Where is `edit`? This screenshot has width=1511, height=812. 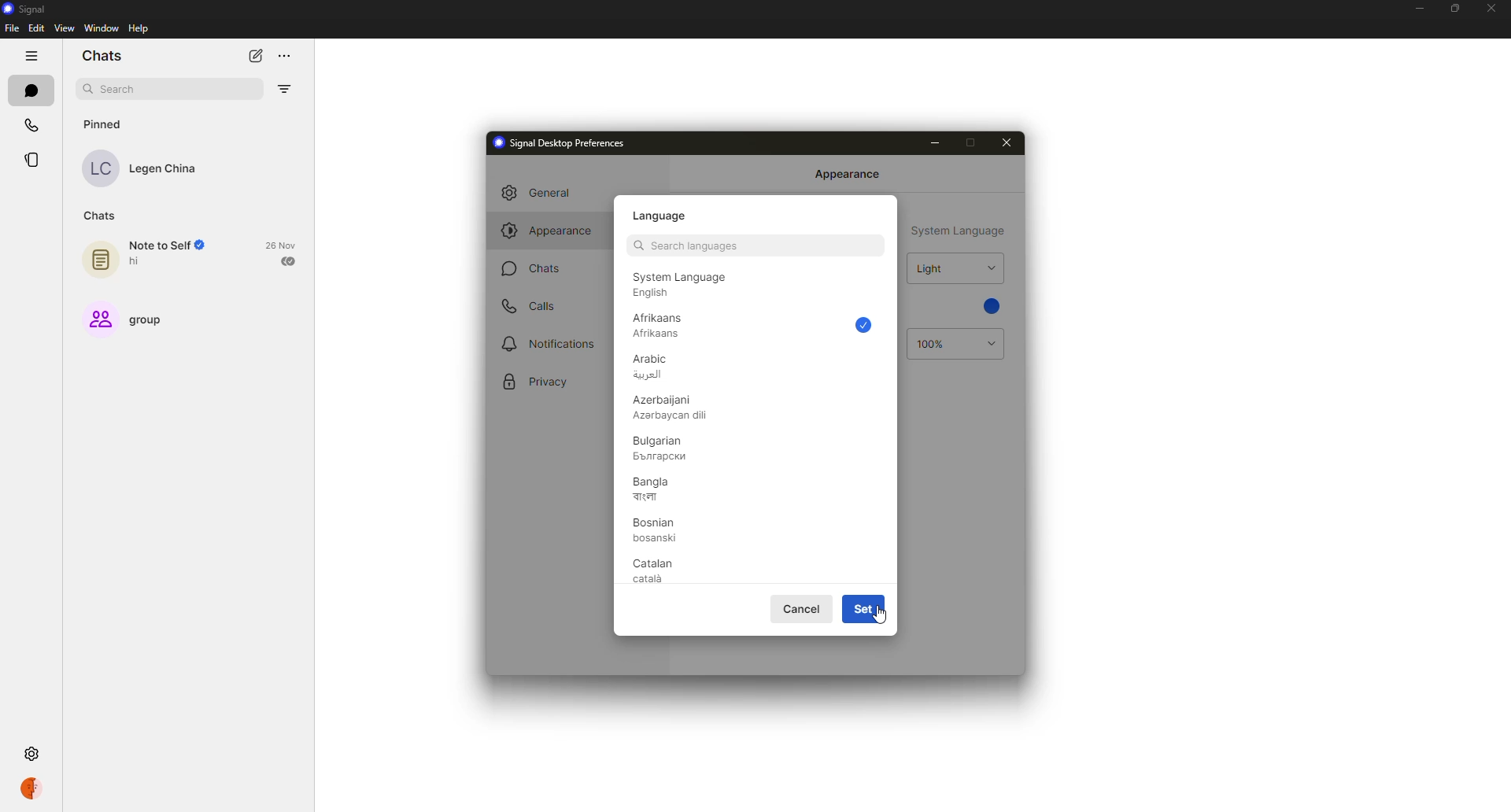
edit is located at coordinates (36, 28).